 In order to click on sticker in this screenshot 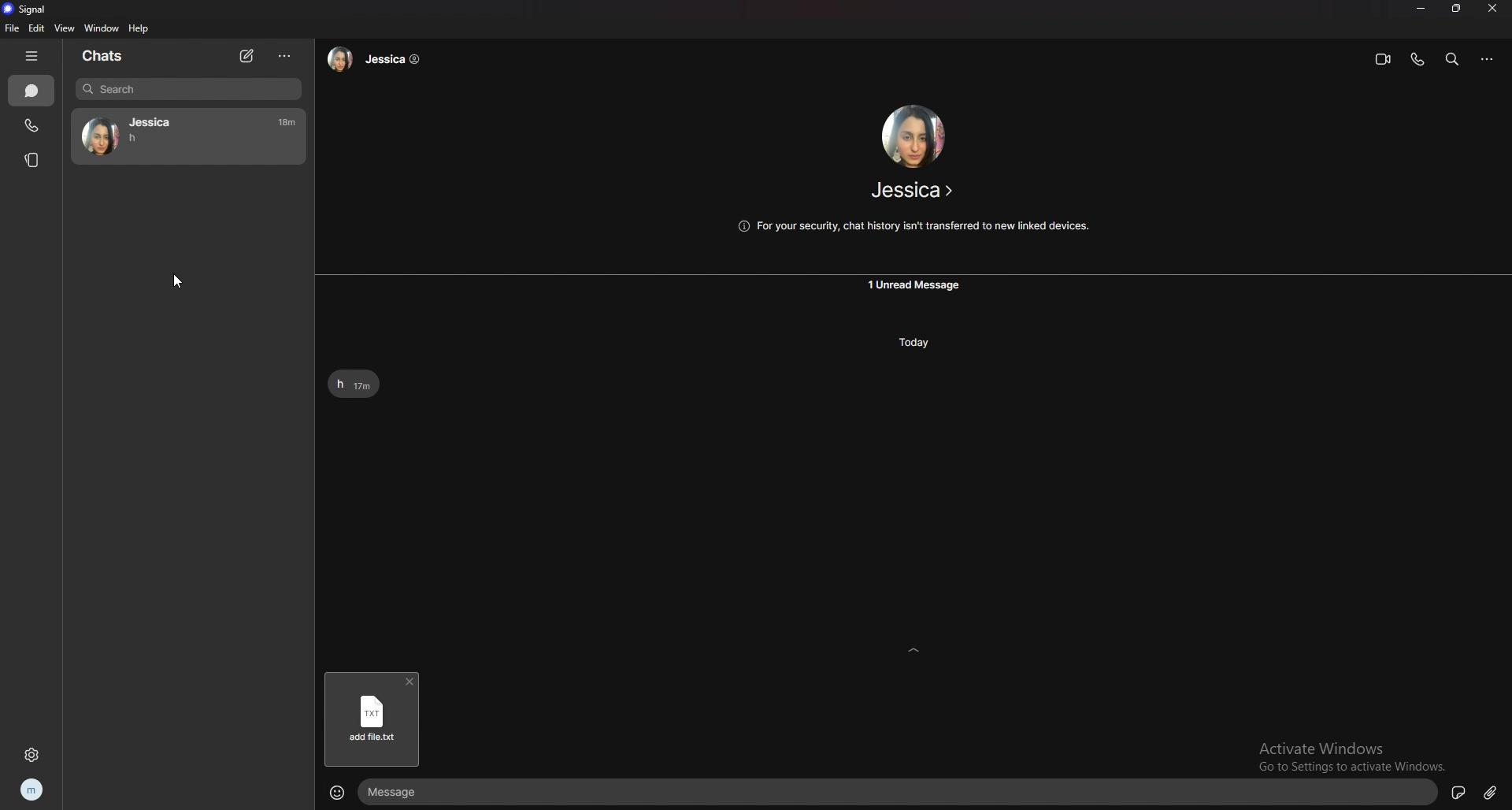, I will do `click(1458, 790)`.